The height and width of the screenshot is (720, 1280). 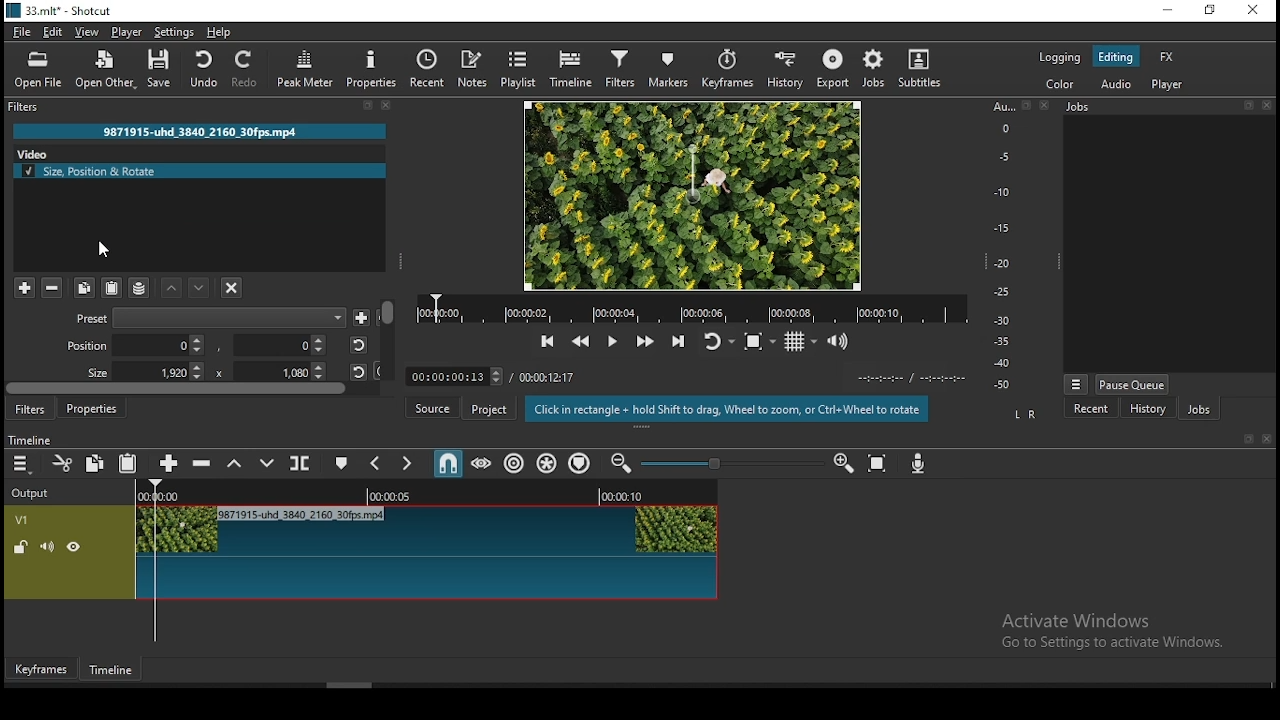 What do you see at coordinates (30, 410) in the screenshot?
I see `filters` at bounding box center [30, 410].